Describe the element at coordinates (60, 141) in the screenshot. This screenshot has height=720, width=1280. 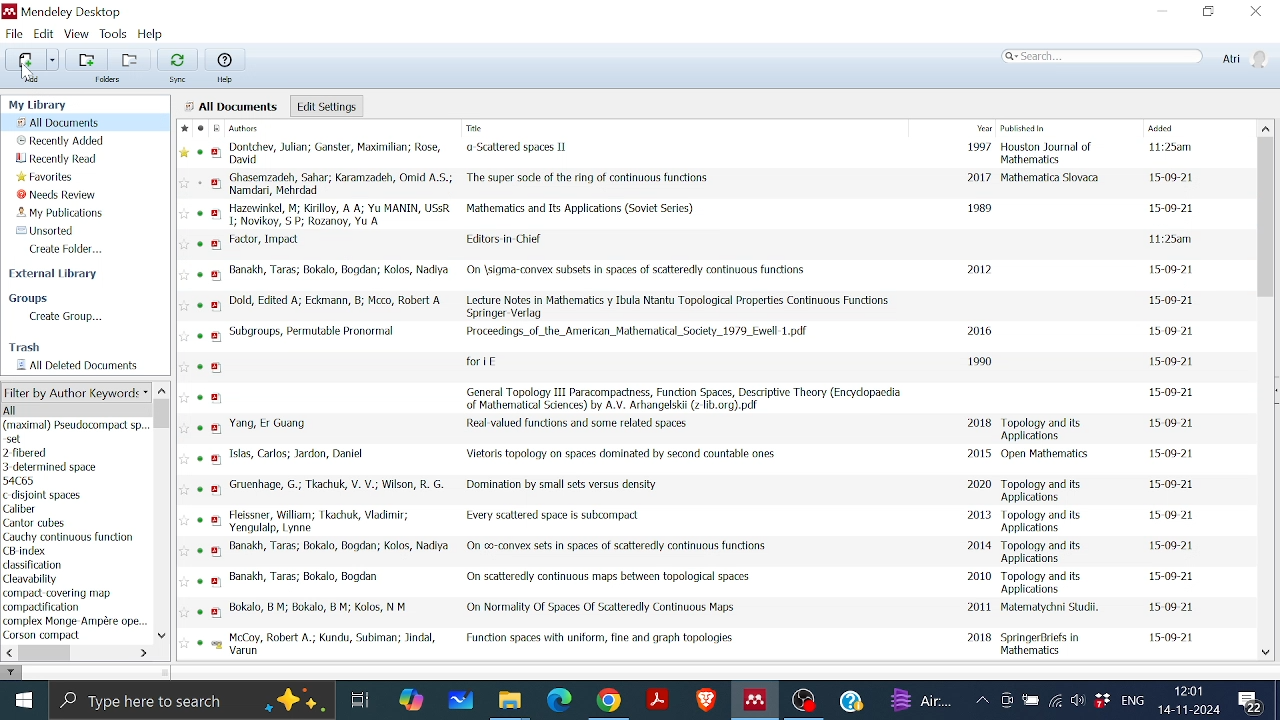
I see `Recently added` at that location.